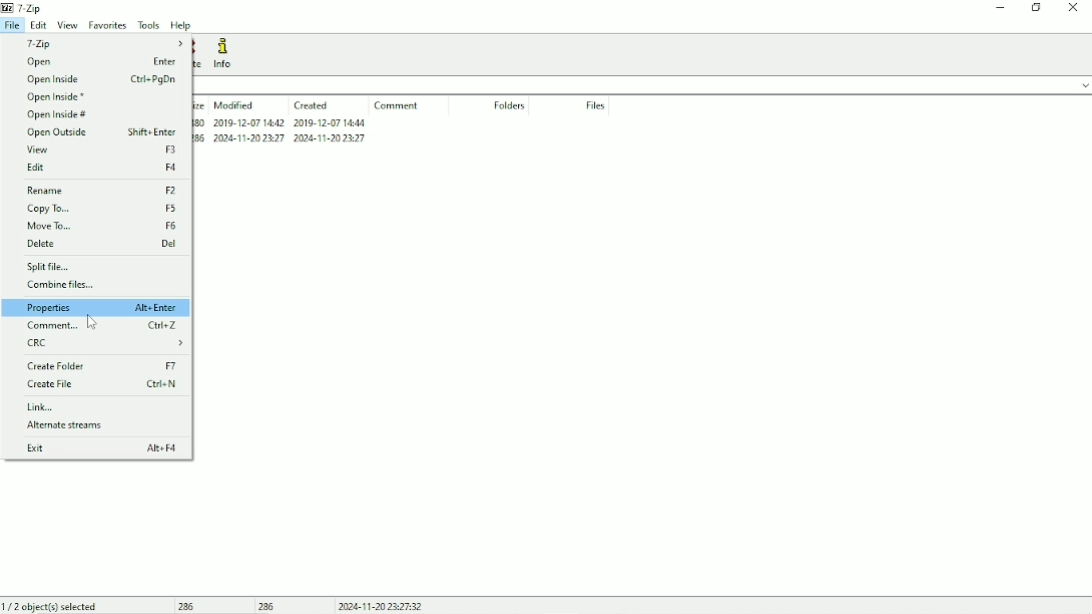 The height and width of the screenshot is (614, 1092). I want to click on created date & time, so click(329, 122).